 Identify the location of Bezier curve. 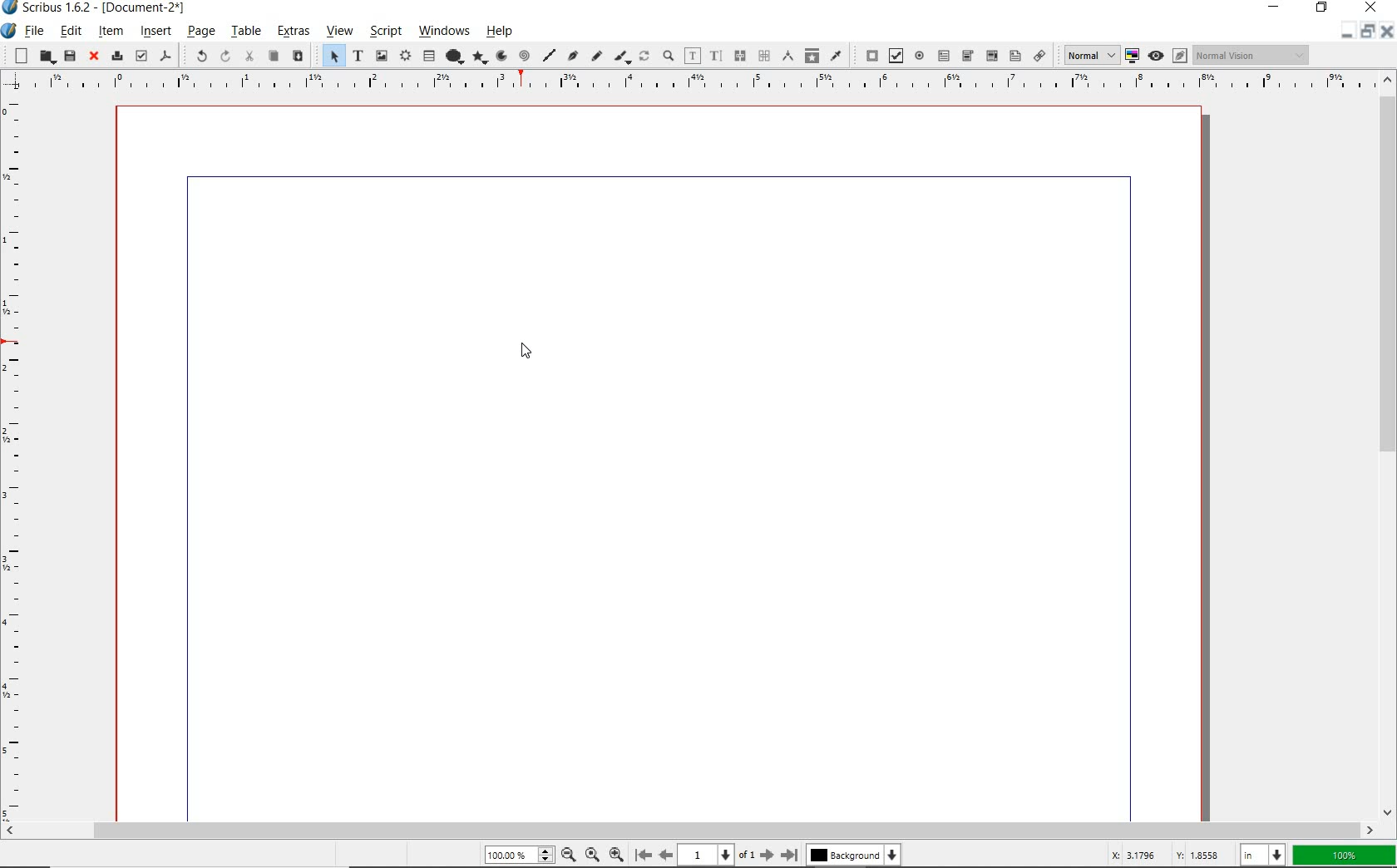
(570, 56).